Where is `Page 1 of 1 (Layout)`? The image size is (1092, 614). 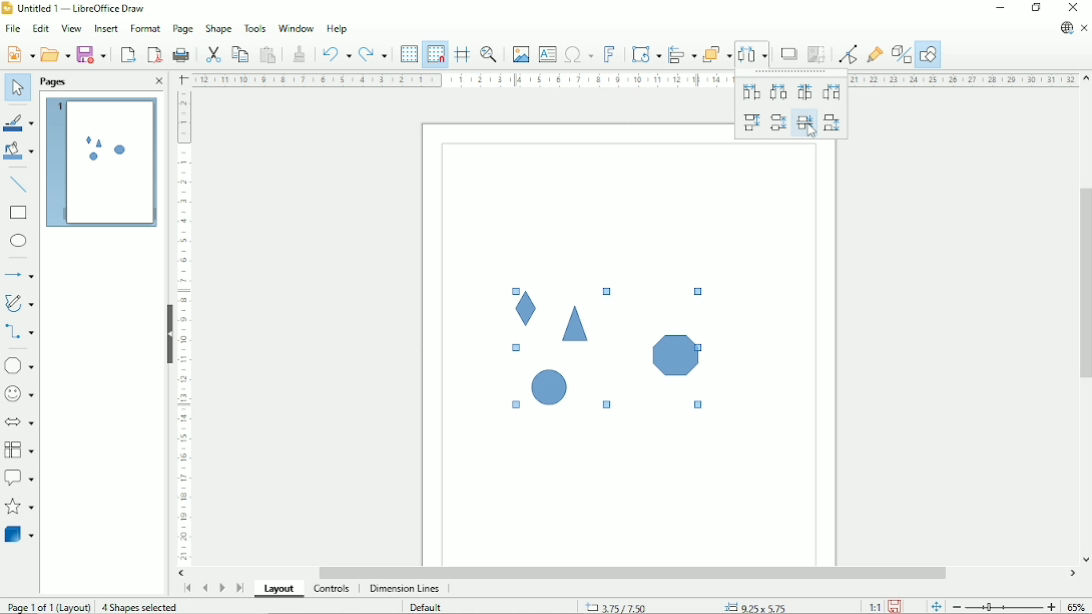 Page 1 of 1 (Layout) is located at coordinates (48, 606).